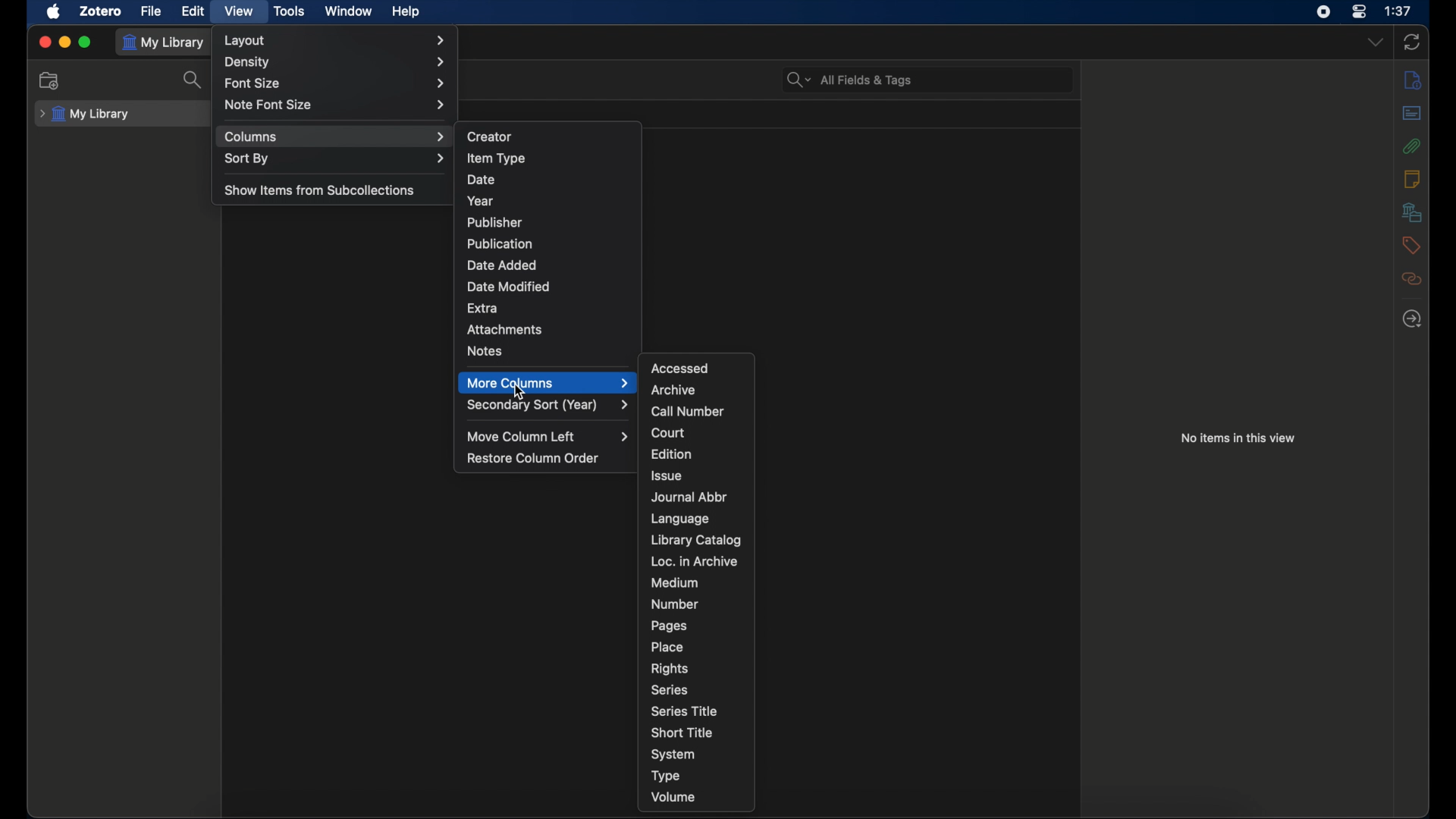 The height and width of the screenshot is (819, 1456). What do you see at coordinates (336, 83) in the screenshot?
I see `font size` at bounding box center [336, 83].